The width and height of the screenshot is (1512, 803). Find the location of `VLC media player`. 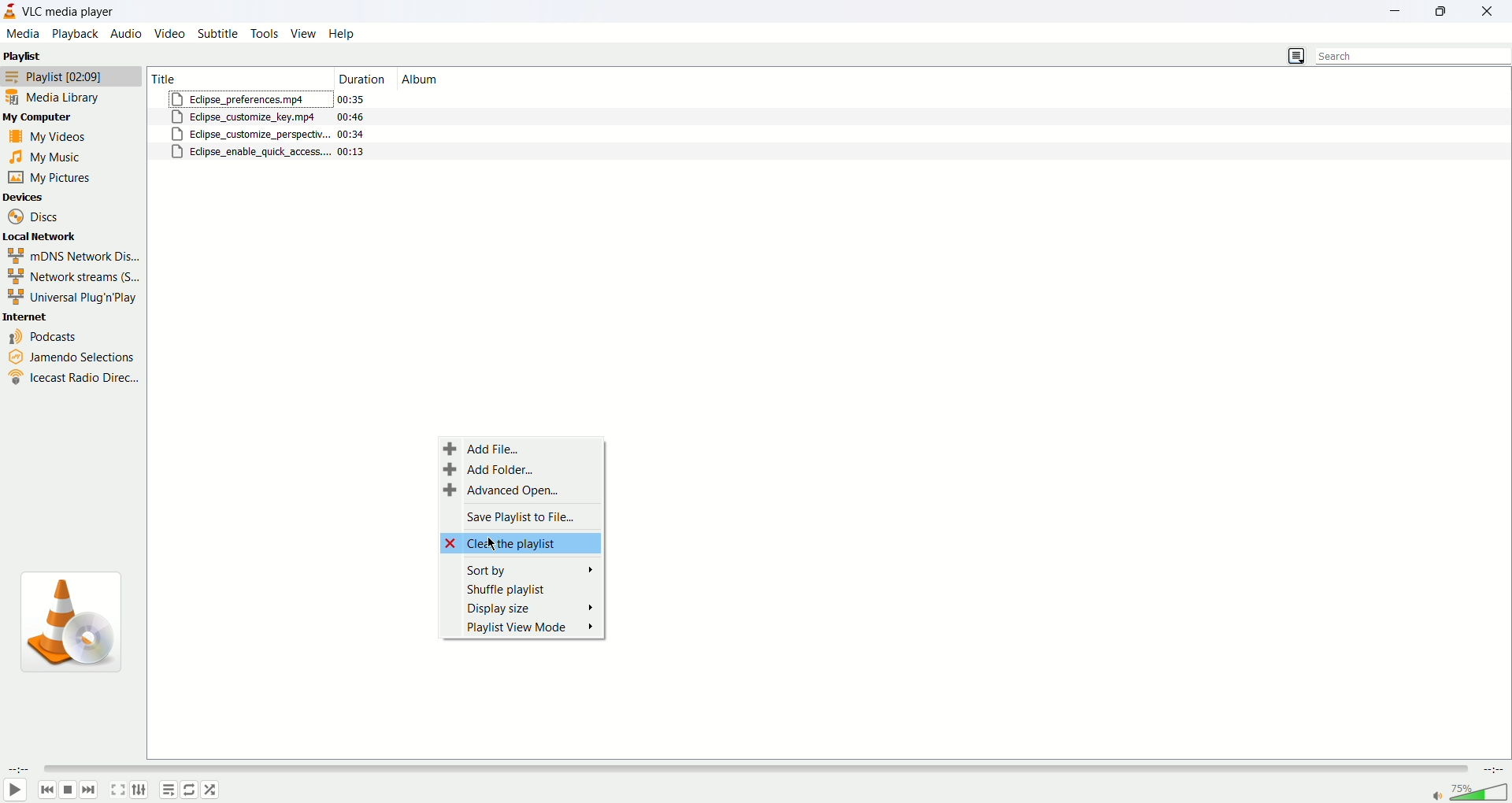

VLC media player is located at coordinates (69, 12).